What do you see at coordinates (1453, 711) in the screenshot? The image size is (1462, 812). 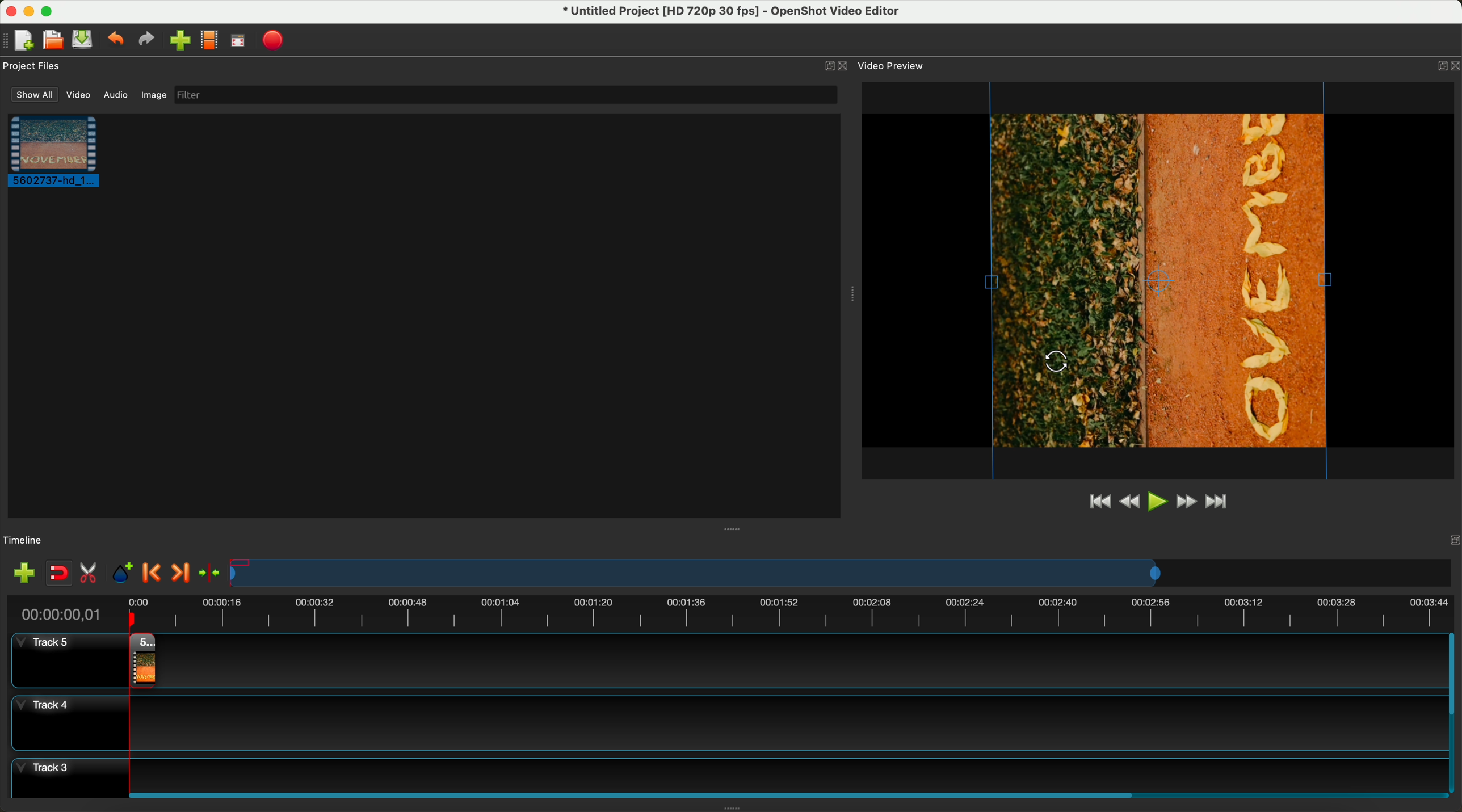 I see `scrollbar` at bounding box center [1453, 711].